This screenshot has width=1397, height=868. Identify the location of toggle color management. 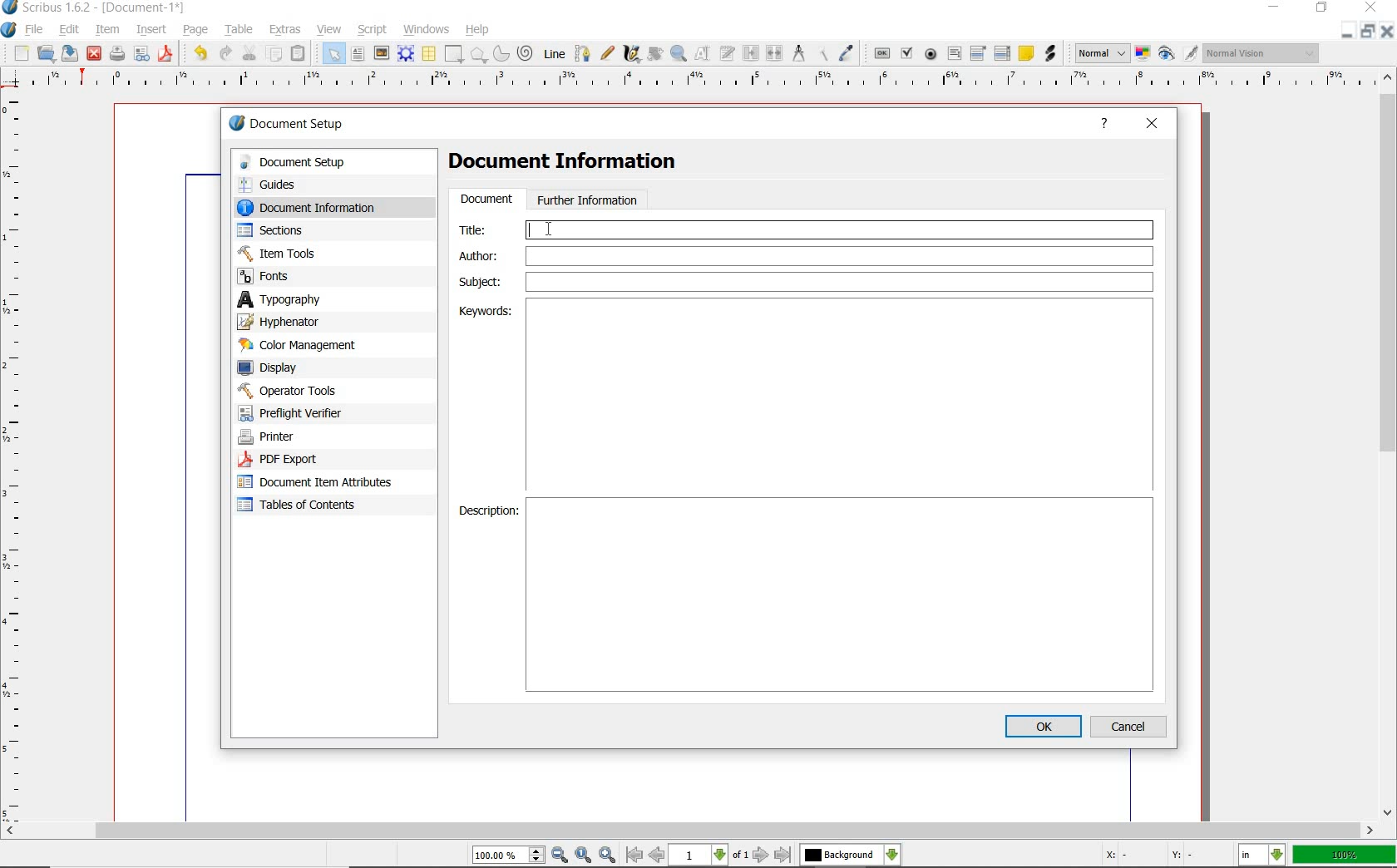
(1143, 53).